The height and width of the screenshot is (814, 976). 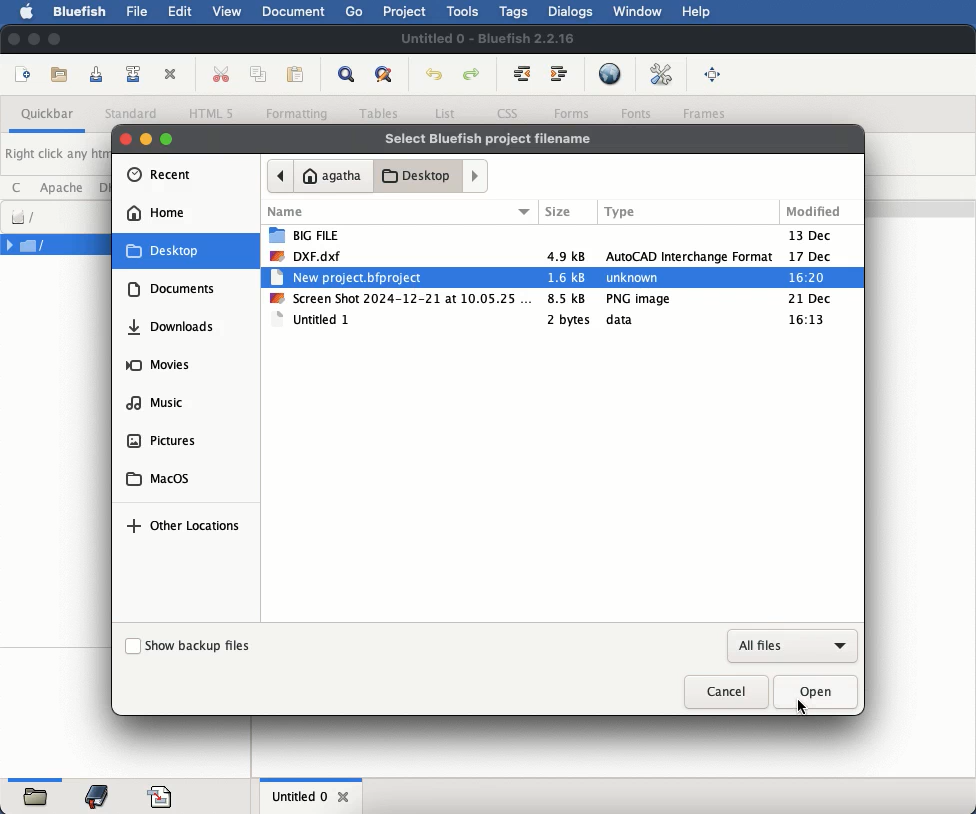 What do you see at coordinates (711, 108) in the screenshot?
I see `Frames` at bounding box center [711, 108].